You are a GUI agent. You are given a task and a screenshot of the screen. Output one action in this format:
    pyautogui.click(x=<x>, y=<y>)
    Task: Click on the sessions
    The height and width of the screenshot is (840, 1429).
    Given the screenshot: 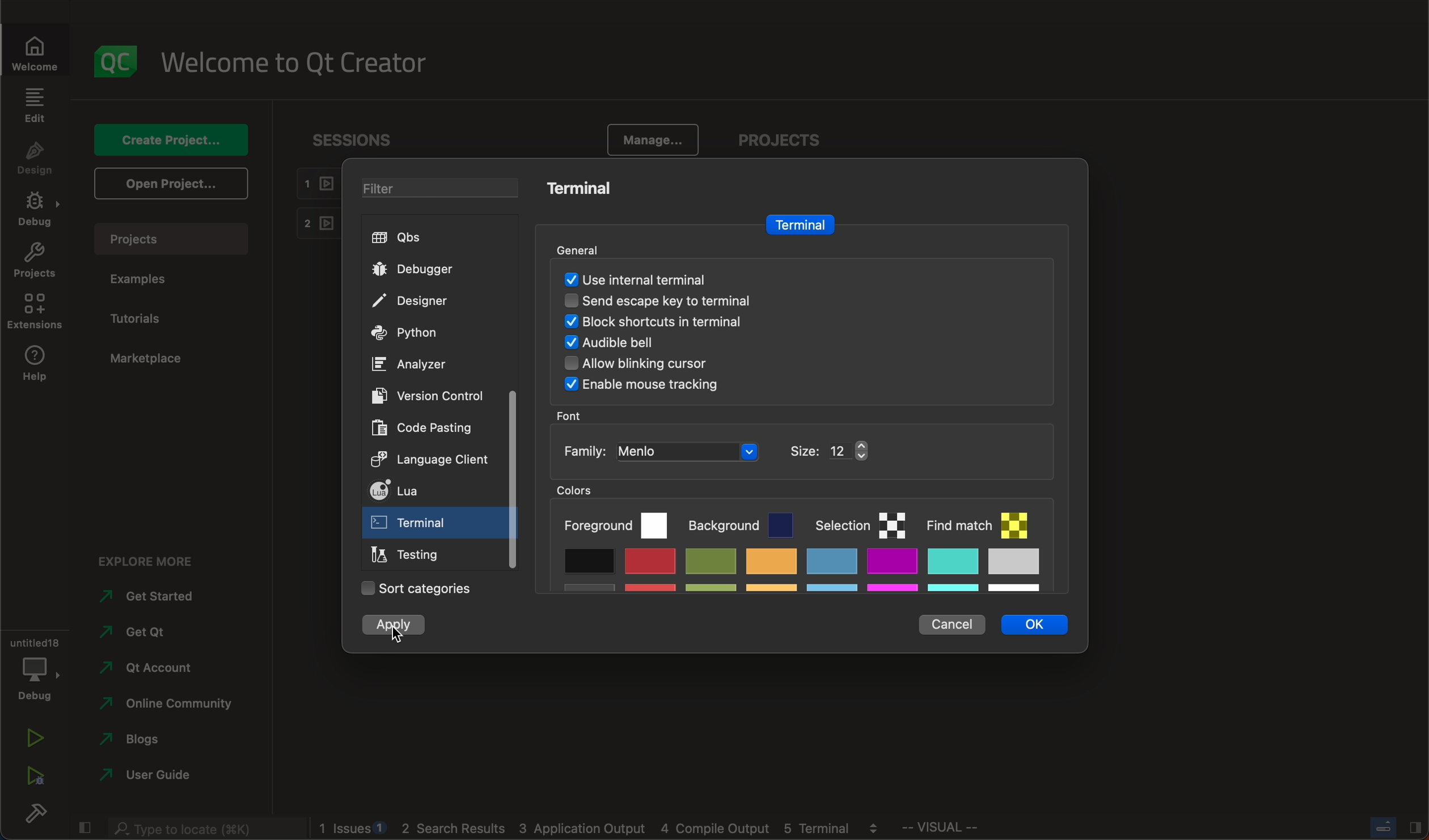 What is the action you would take?
    pyautogui.click(x=346, y=137)
    